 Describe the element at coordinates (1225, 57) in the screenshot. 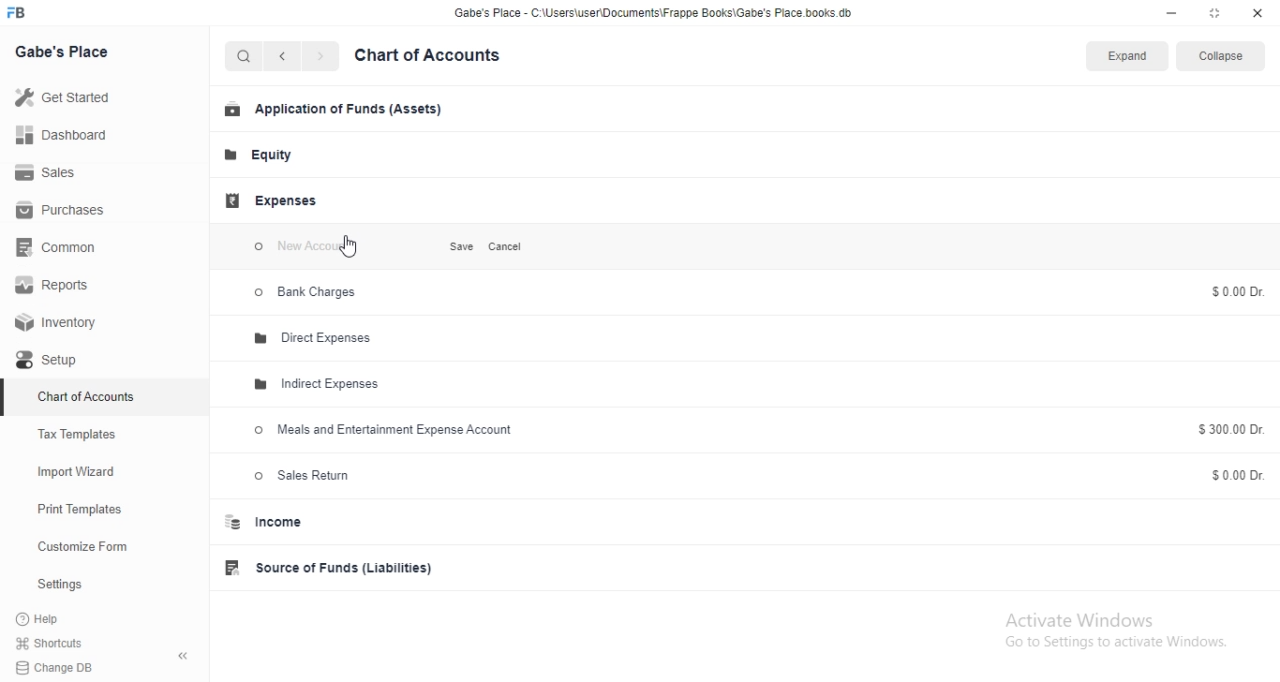

I see `Collapse.` at that location.